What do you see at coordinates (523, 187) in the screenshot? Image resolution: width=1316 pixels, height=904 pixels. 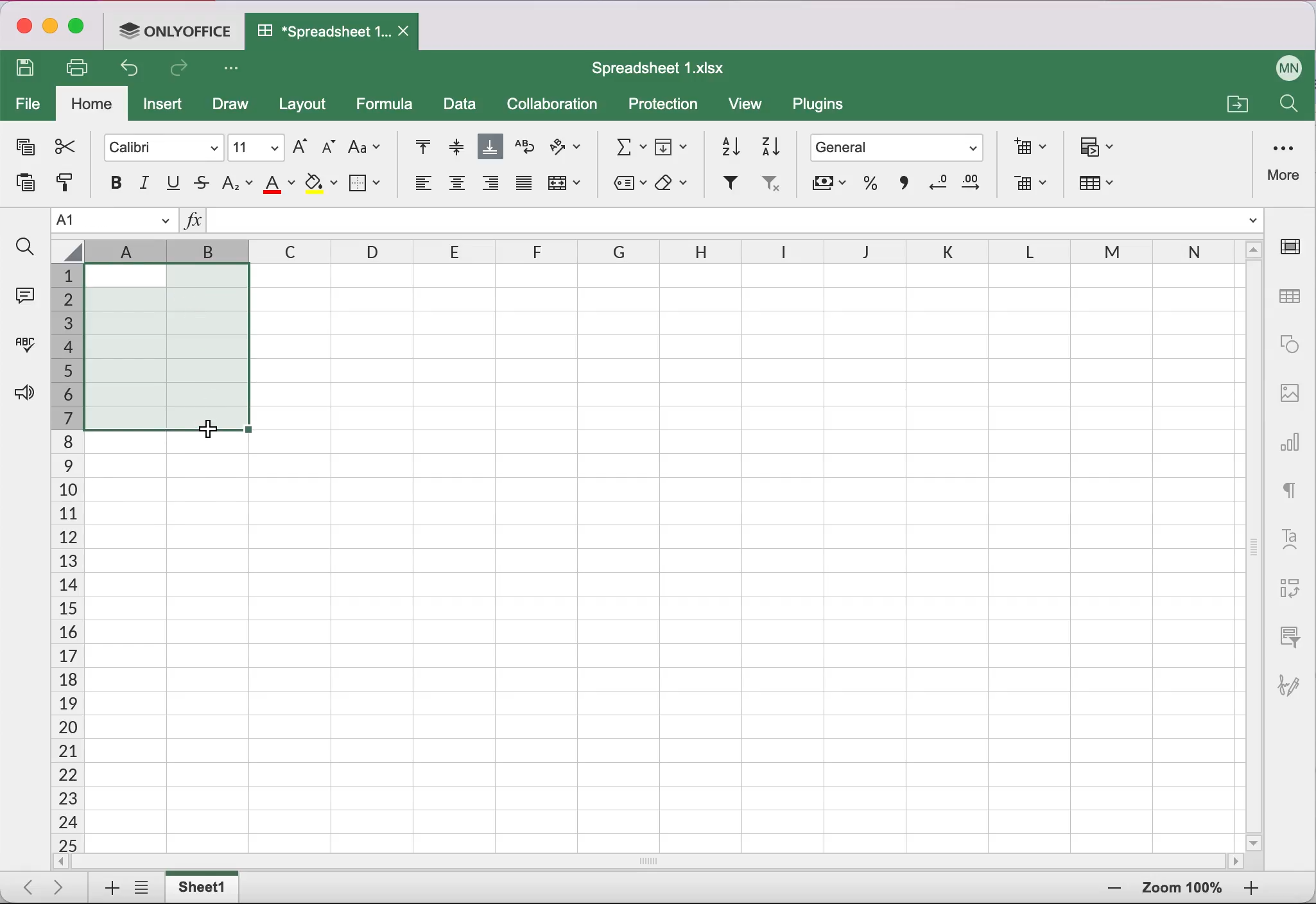 I see `justified` at bounding box center [523, 187].